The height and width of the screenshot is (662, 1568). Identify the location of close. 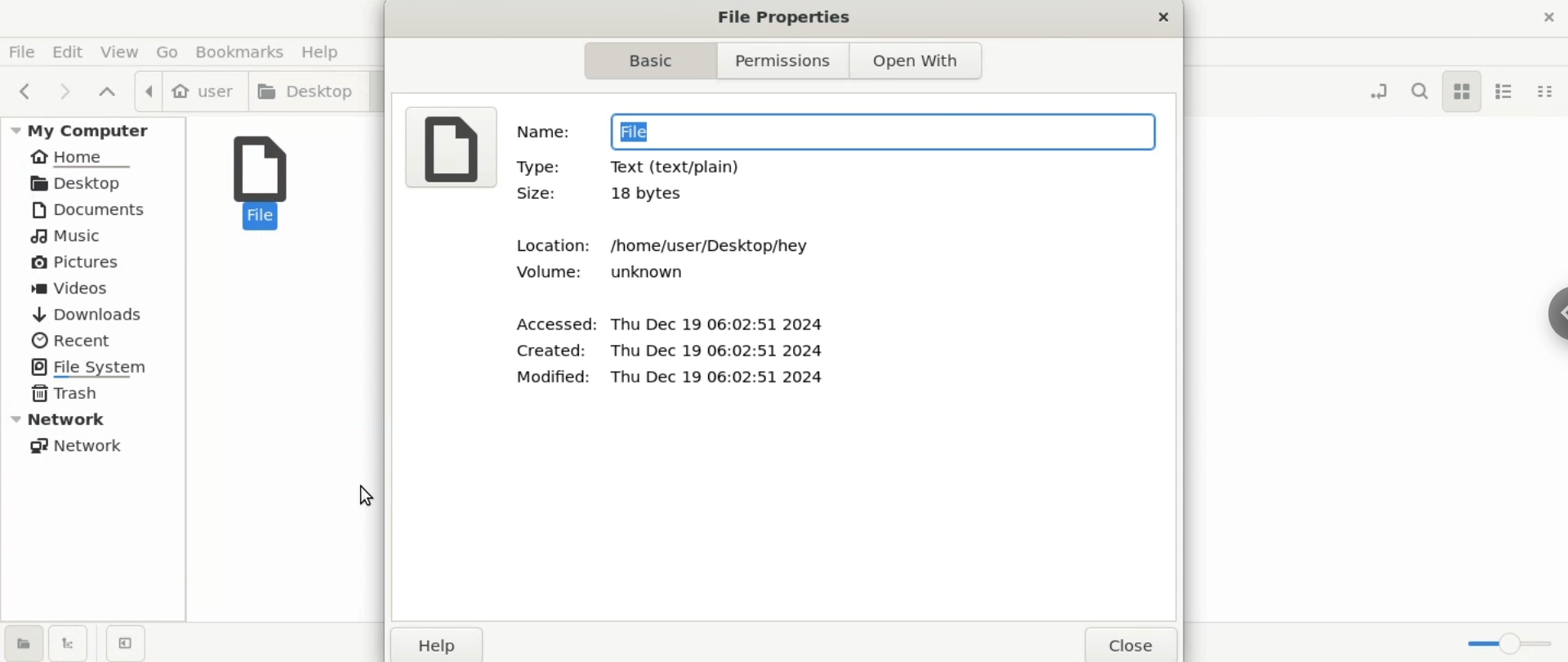
(1540, 19).